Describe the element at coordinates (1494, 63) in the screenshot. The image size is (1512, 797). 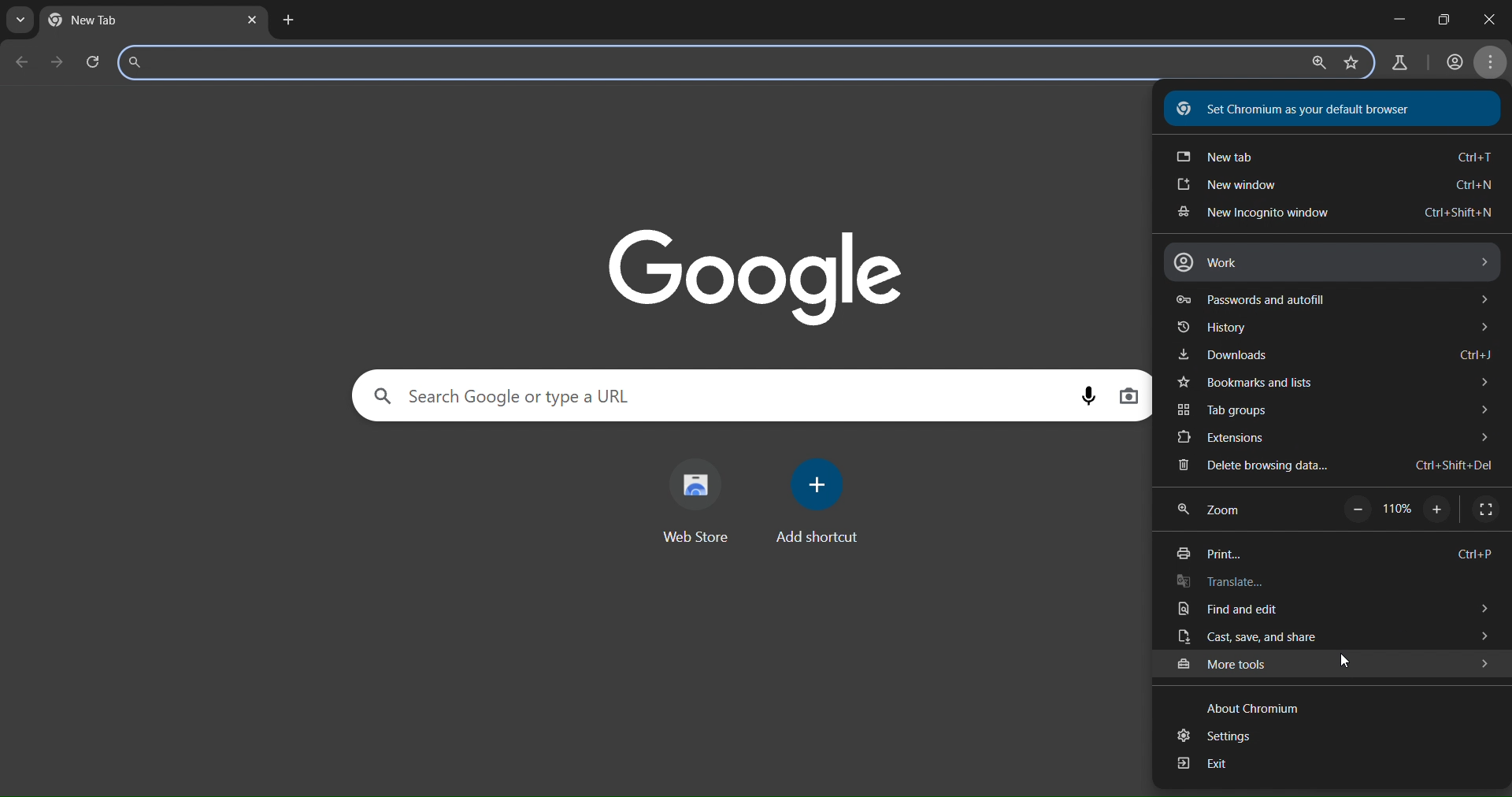
I see `menu` at that location.